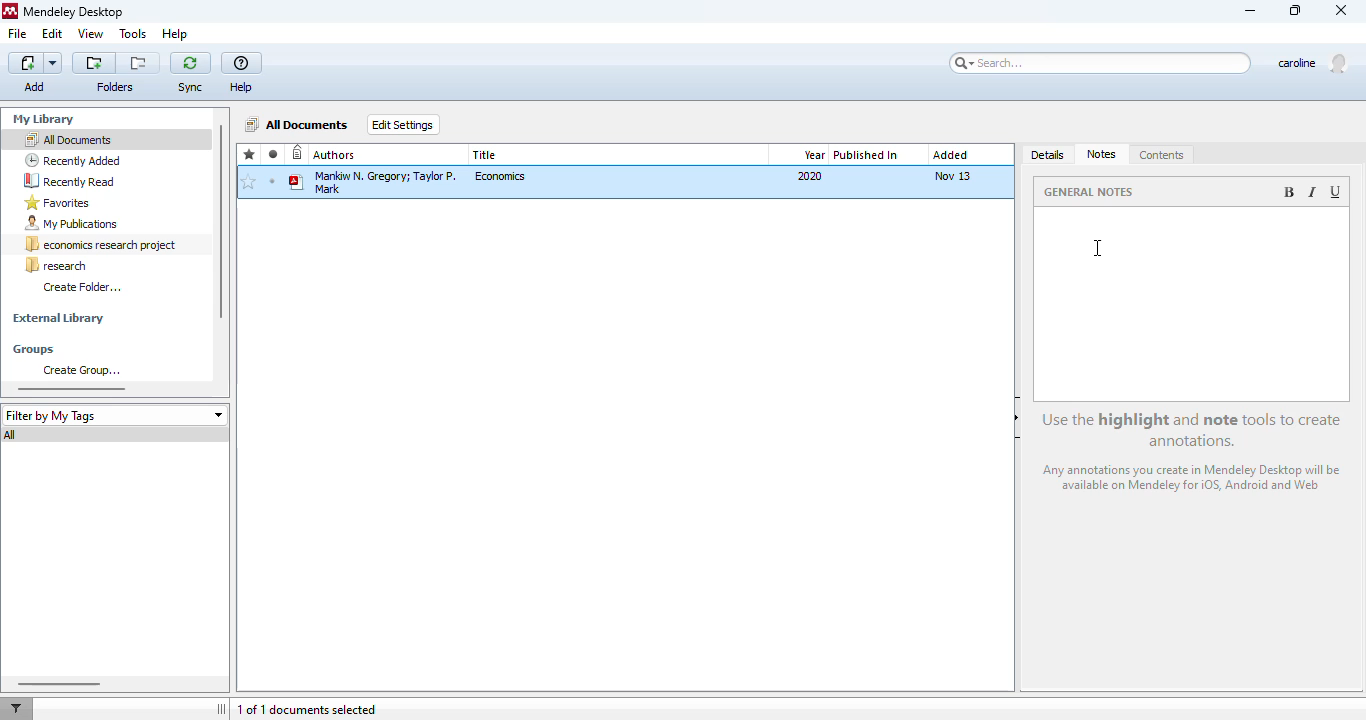  I want to click on Help, so click(245, 87).